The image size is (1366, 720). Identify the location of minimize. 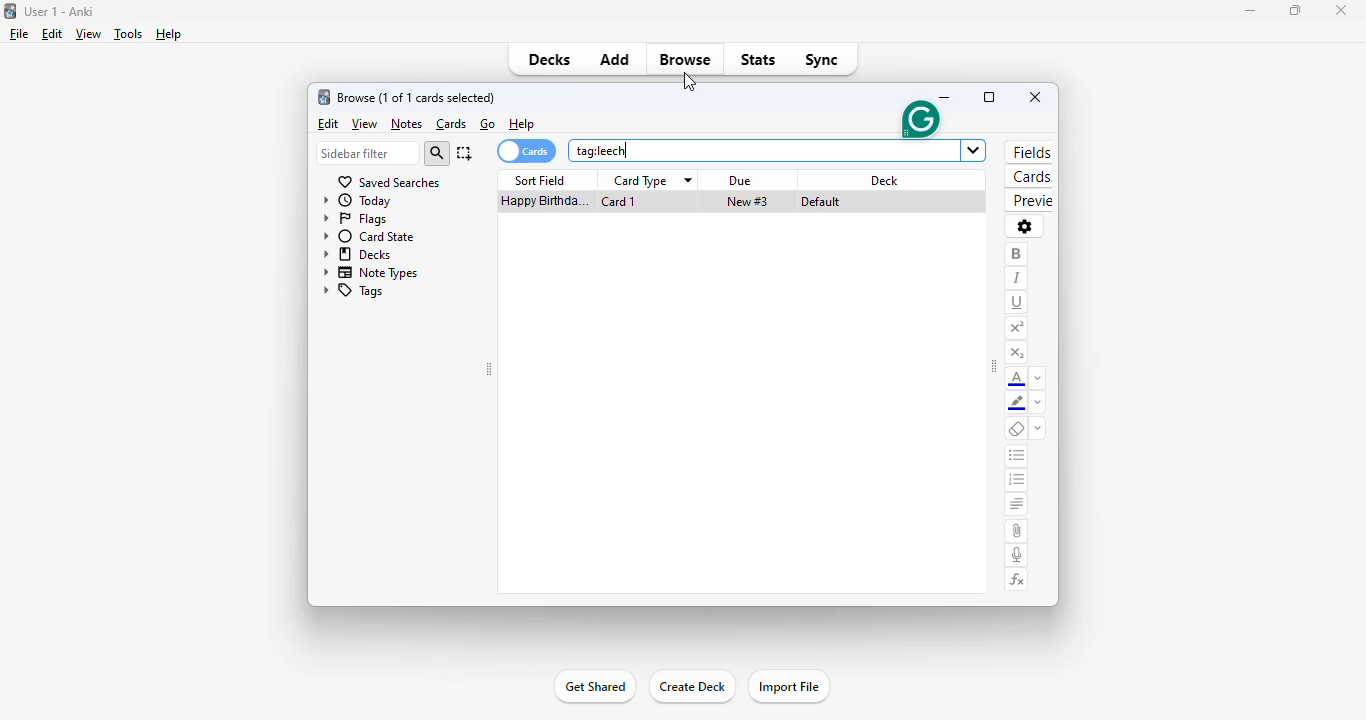
(1251, 11).